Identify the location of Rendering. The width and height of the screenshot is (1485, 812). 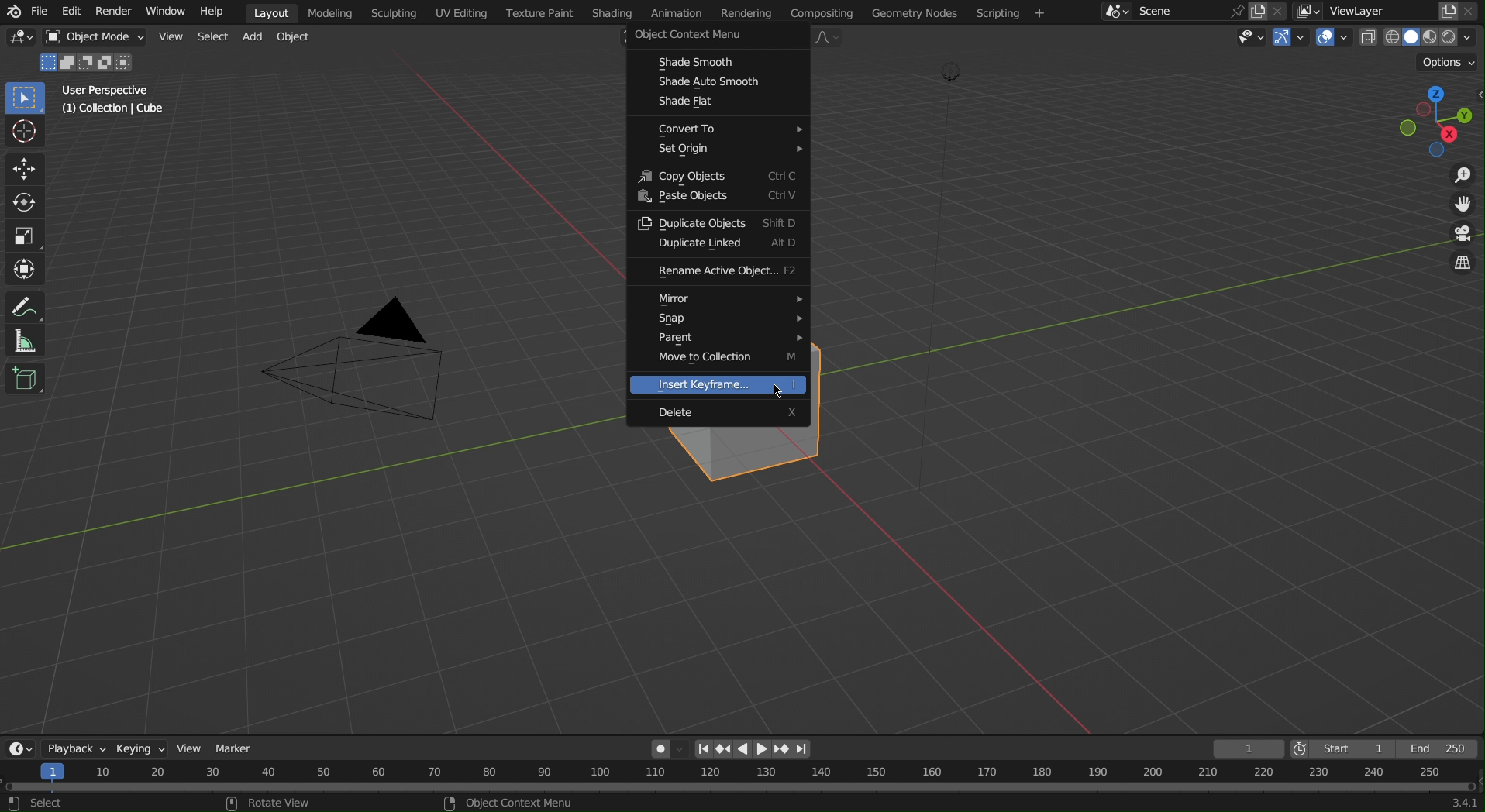
(746, 13).